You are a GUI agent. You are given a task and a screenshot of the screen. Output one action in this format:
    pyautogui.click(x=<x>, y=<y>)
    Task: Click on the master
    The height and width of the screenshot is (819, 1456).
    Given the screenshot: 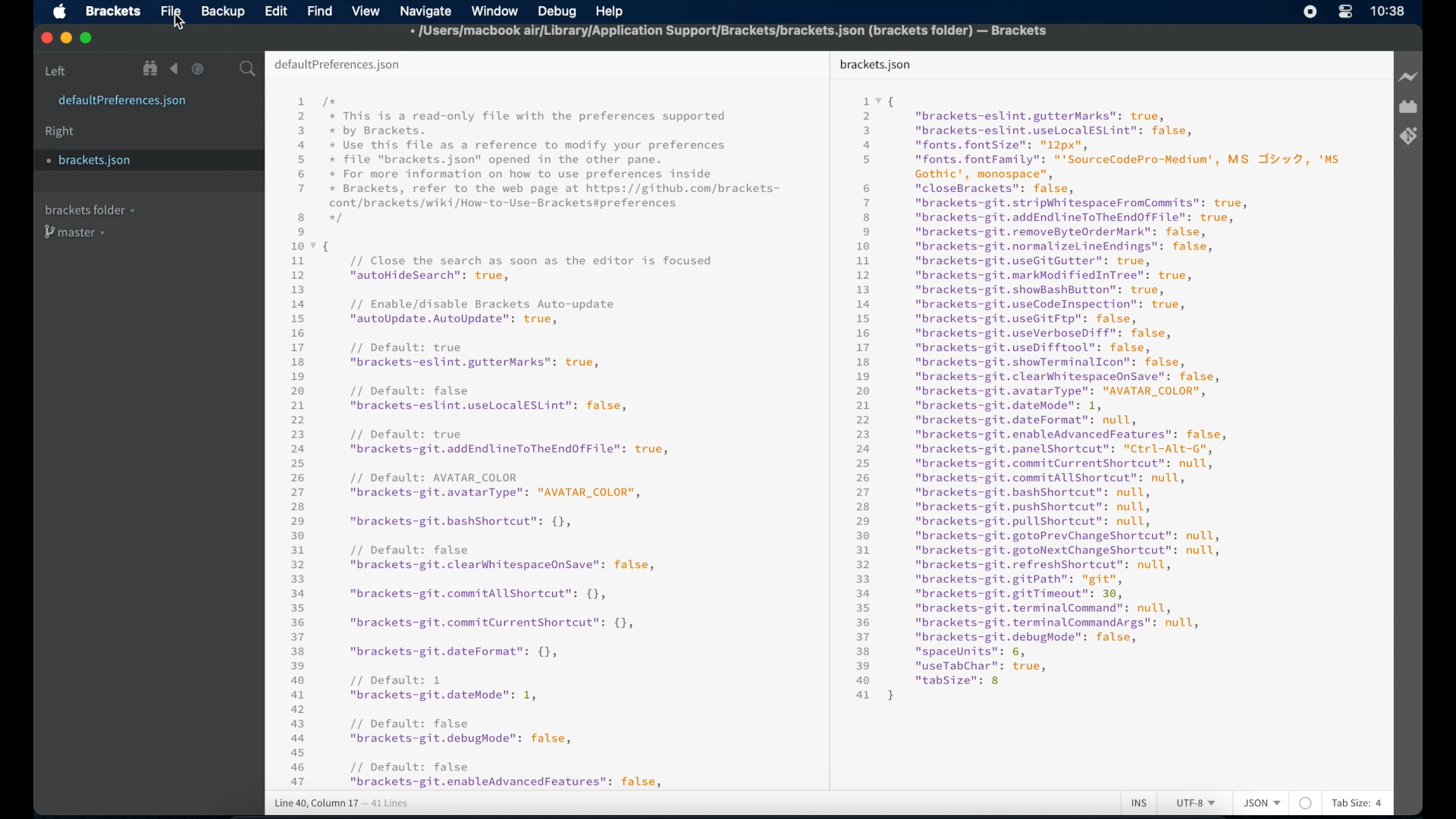 What is the action you would take?
    pyautogui.click(x=77, y=232)
    